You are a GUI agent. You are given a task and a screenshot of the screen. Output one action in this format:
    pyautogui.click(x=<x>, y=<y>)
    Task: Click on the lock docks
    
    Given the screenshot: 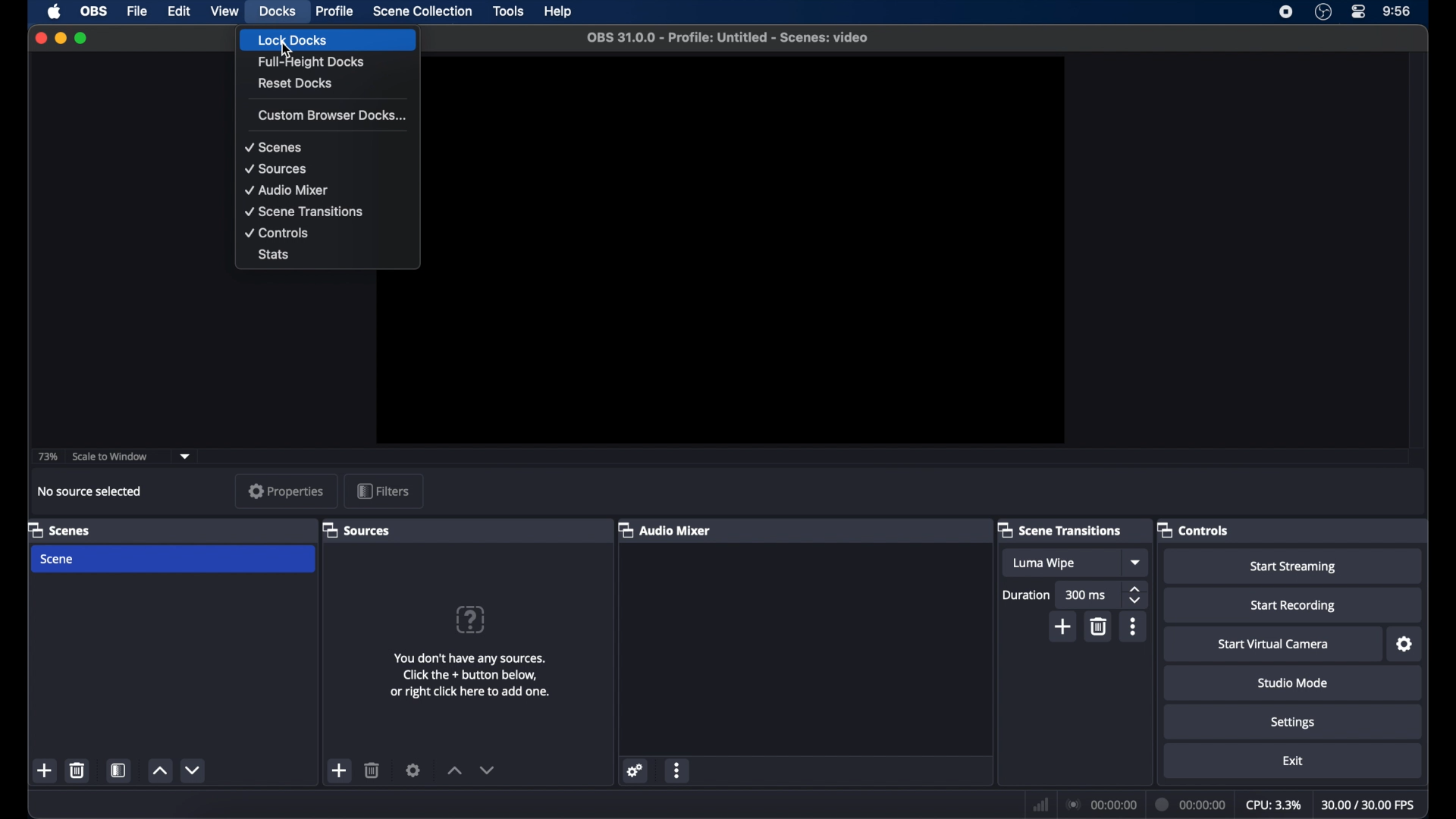 What is the action you would take?
    pyautogui.click(x=297, y=40)
    